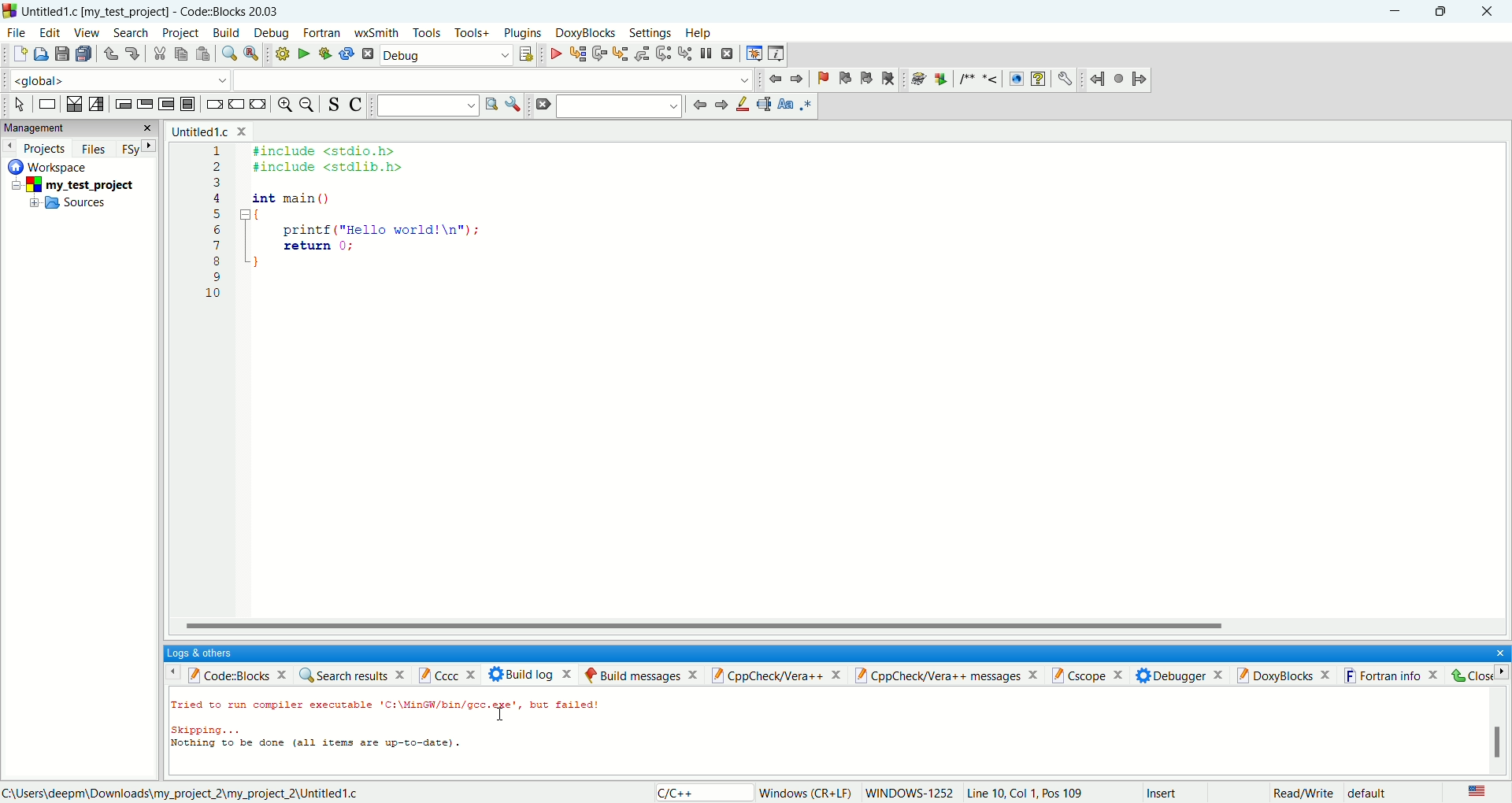 This screenshot has height=803, width=1512. I want to click on build and run, so click(321, 54).